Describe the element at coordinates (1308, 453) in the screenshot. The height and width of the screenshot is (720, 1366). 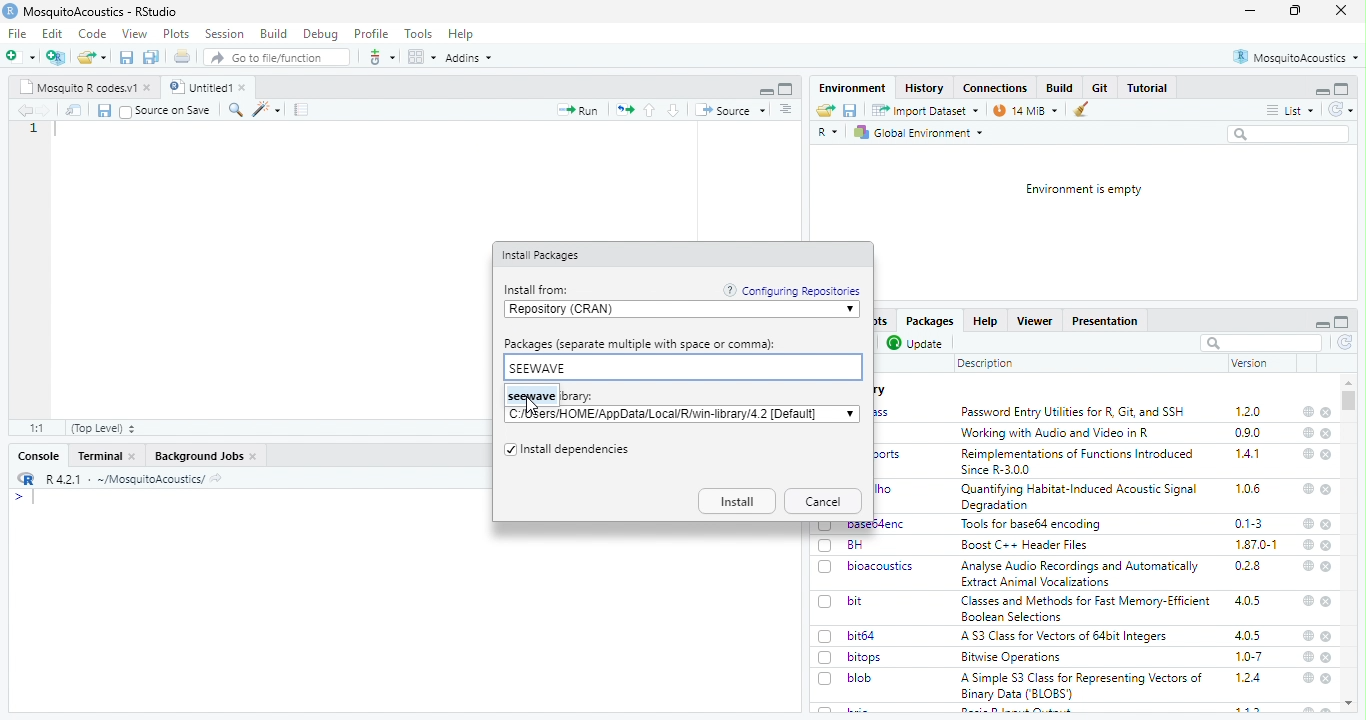
I see `web` at that location.